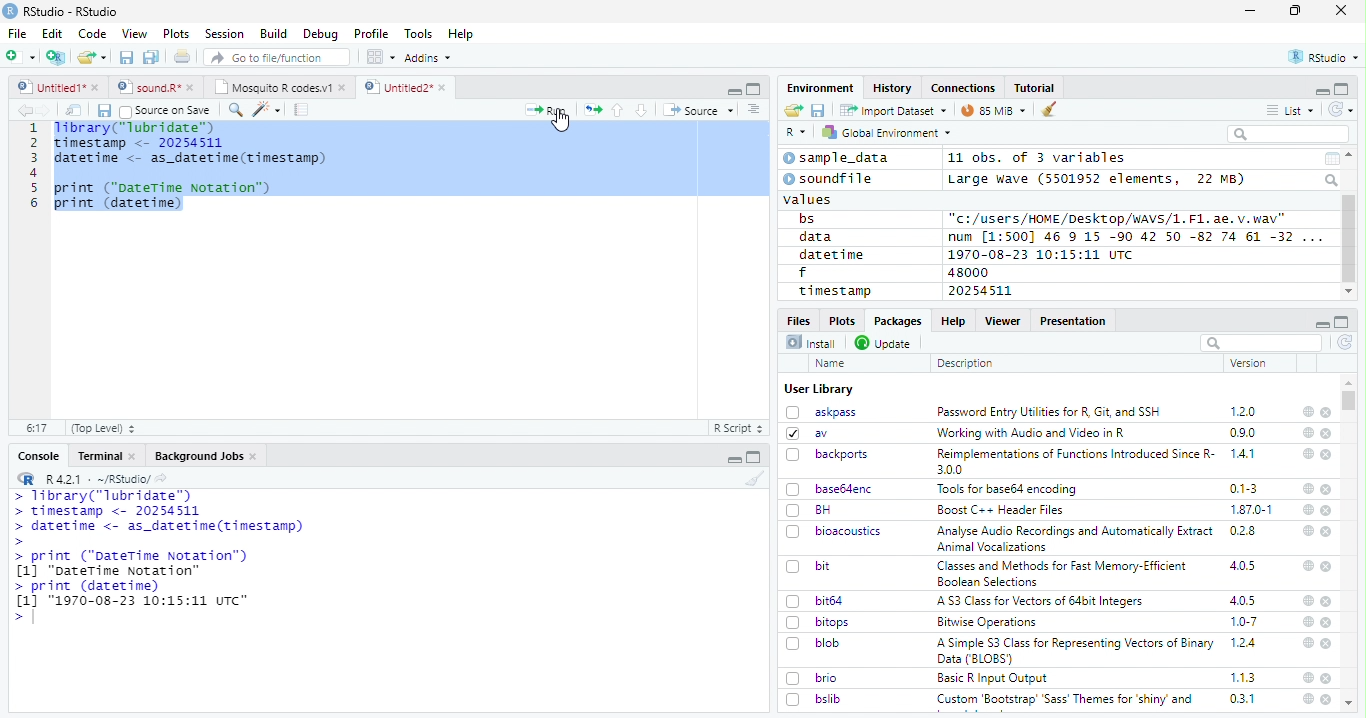 This screenshot has height=718, width=1366. What do you see at coordinates (1243, 600) in the screenshot?
I see `4.0.5` at bounding box center [1243, 600].